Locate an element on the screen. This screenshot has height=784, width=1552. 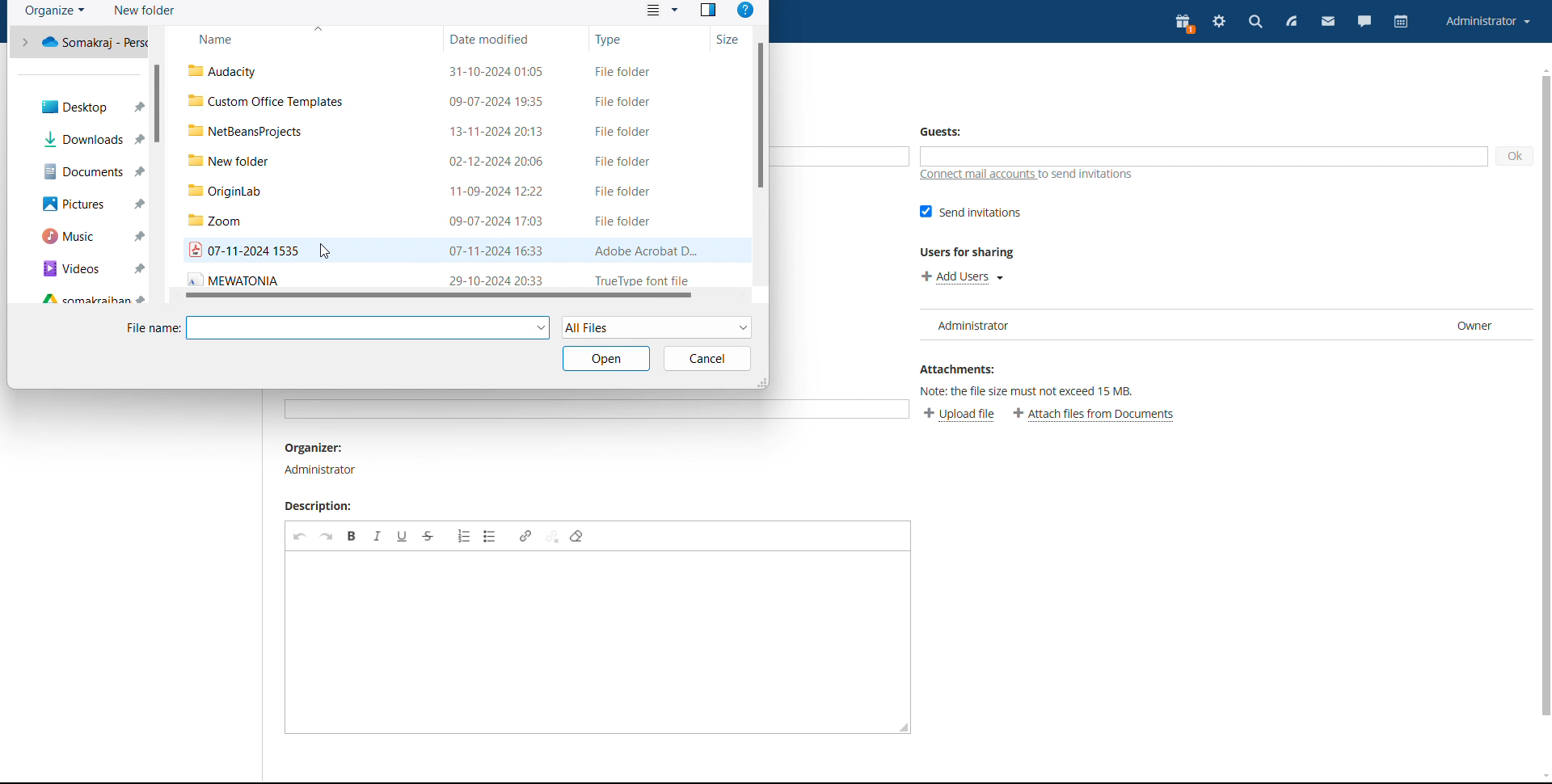
name is located at coordinates (302, 37).